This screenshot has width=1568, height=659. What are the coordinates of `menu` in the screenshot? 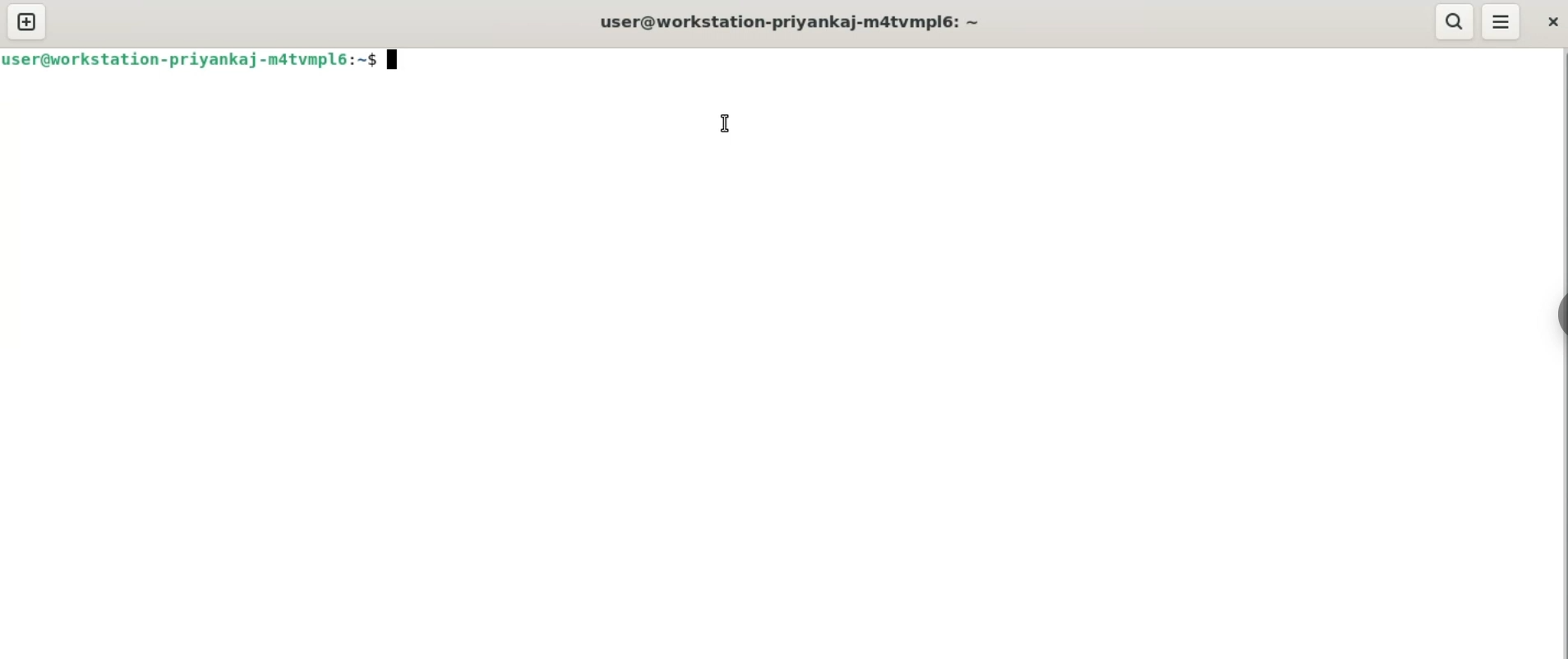 It's located at (1502, 21).